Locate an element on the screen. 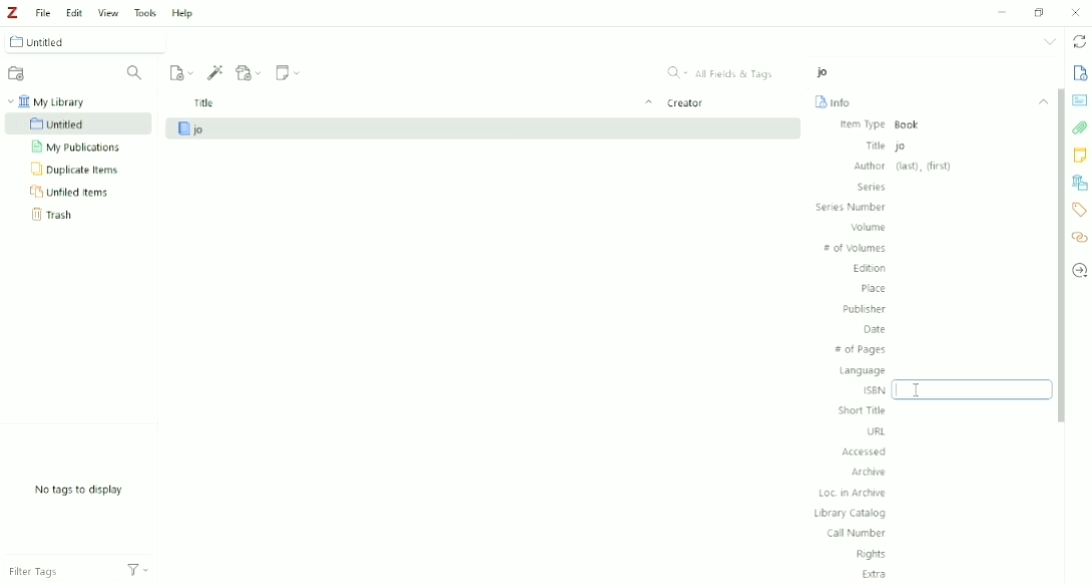 This screenshot has height=584, width=1092. # of Volumes is located at coordinates (856, 248).